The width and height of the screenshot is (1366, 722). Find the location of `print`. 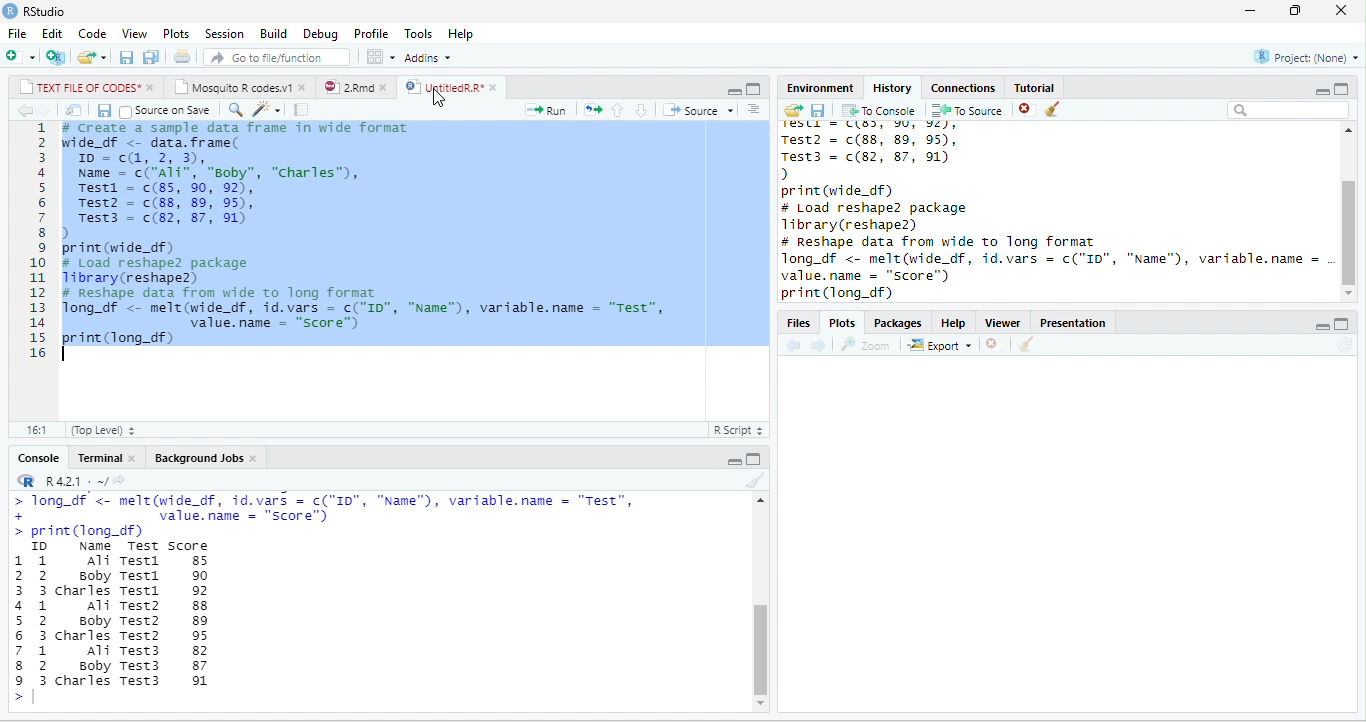

print is located at coordinates (183, 57).